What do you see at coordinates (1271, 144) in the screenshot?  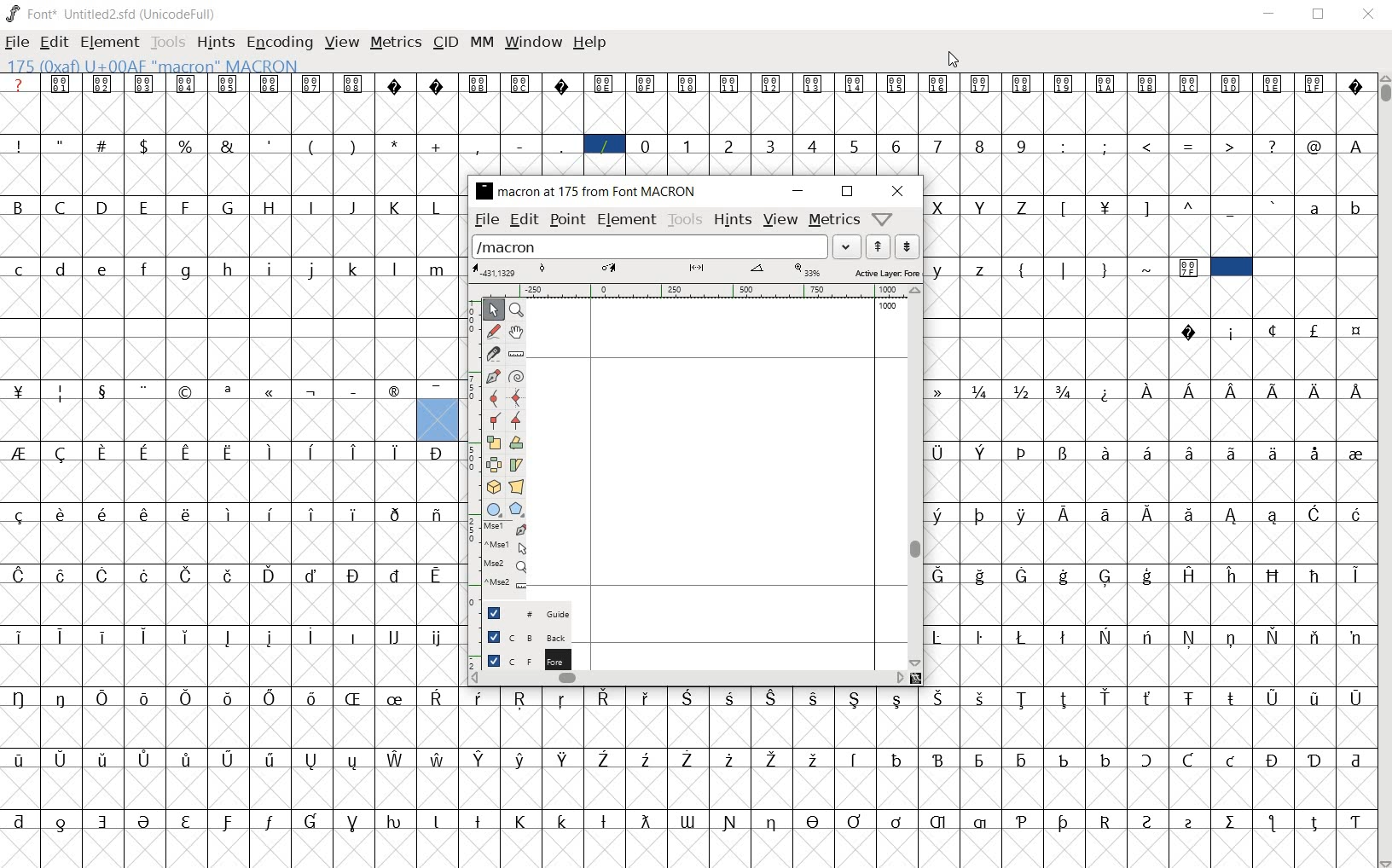 I see `?` at bounding box center [1271, 144].